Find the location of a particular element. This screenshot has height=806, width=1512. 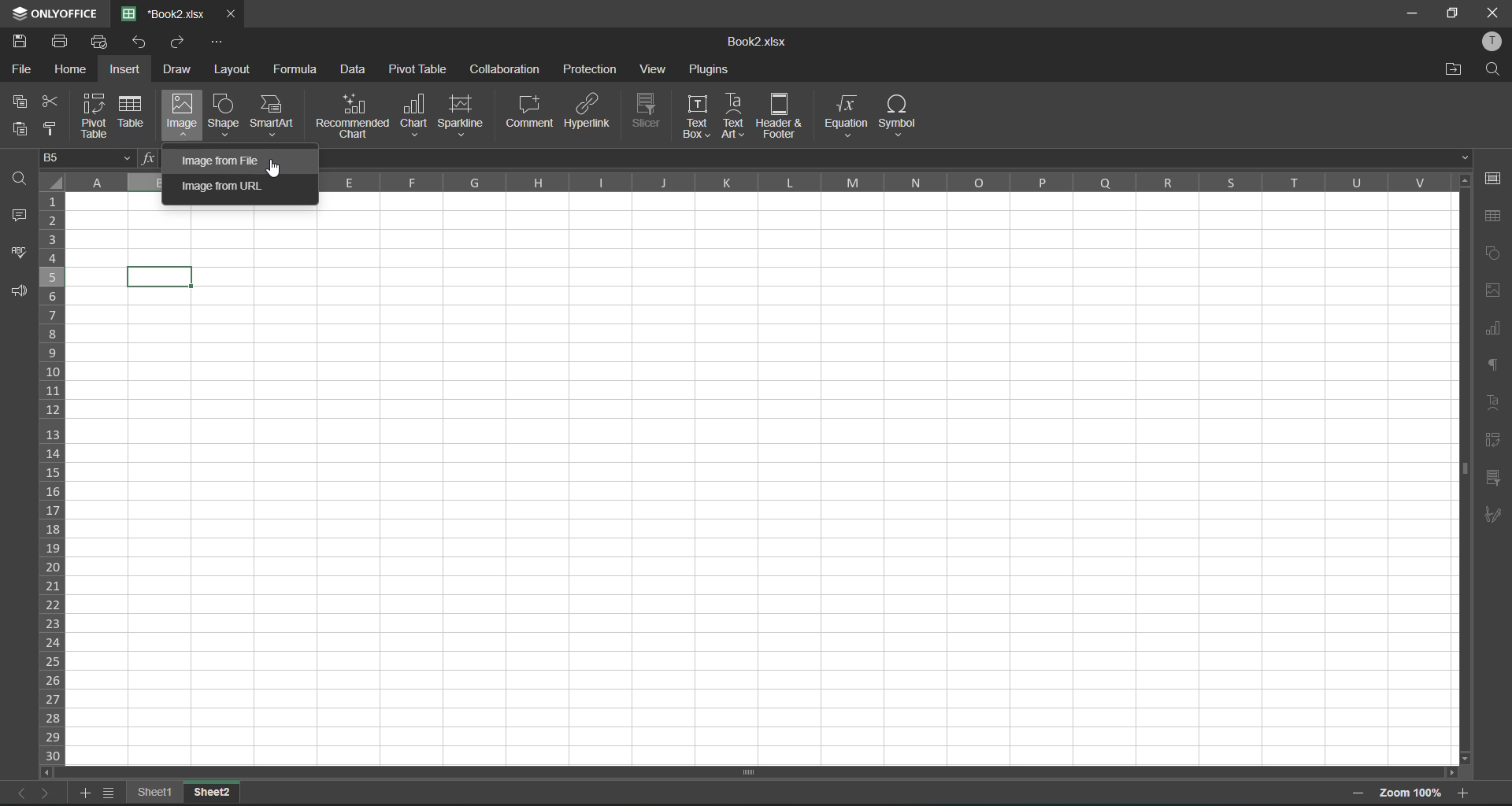

feedback is located at coordinates (20, 293).